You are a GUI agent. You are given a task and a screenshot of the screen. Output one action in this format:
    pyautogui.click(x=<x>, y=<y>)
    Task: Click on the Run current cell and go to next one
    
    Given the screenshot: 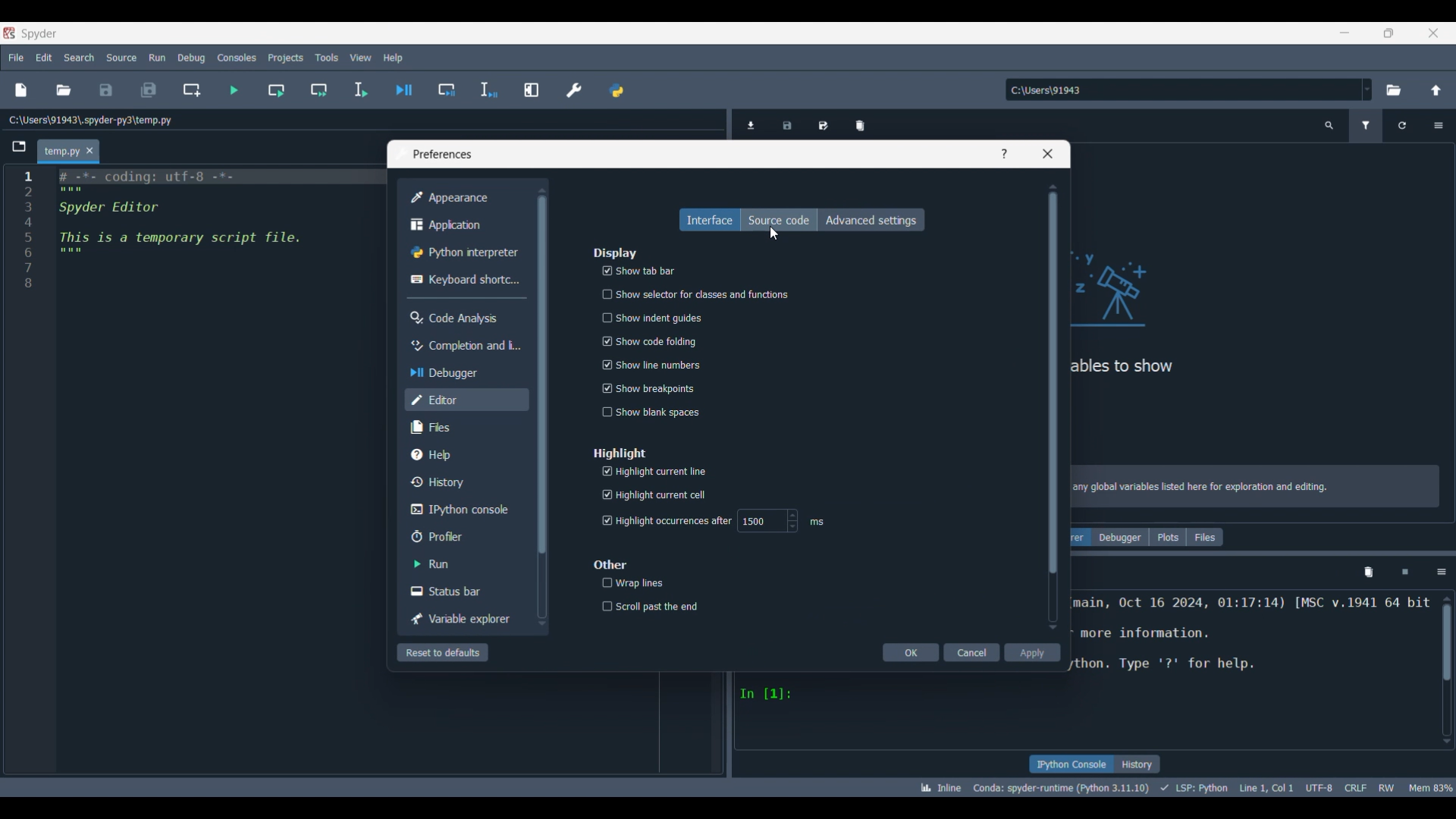 What is the action you would take?
    pyautogui.click(x=318, y=89)
    